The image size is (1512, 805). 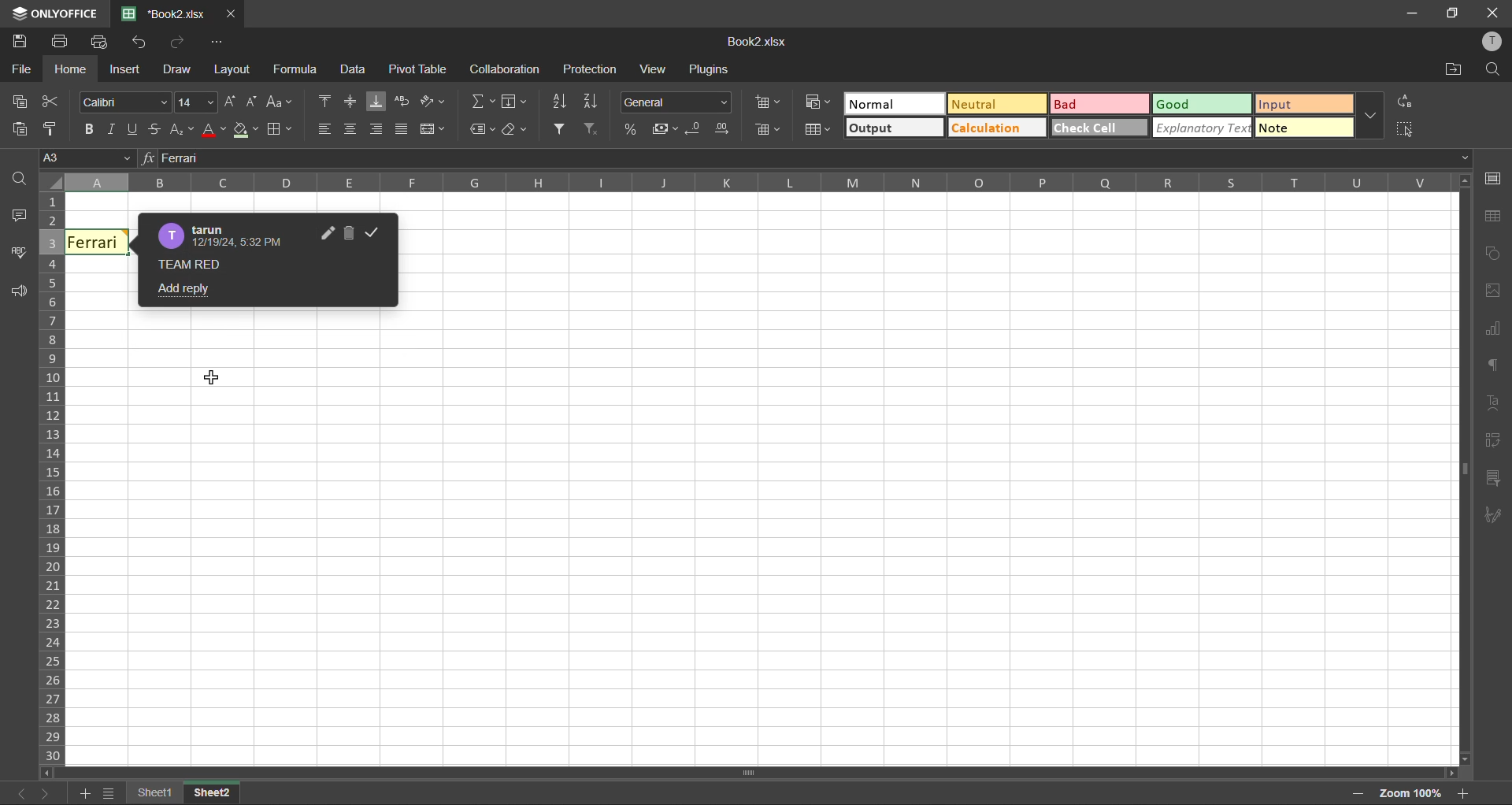 What do you see at coordinates (416, 69) in the screenshot?
I see `pivot table` at bounding box center [416, 69].